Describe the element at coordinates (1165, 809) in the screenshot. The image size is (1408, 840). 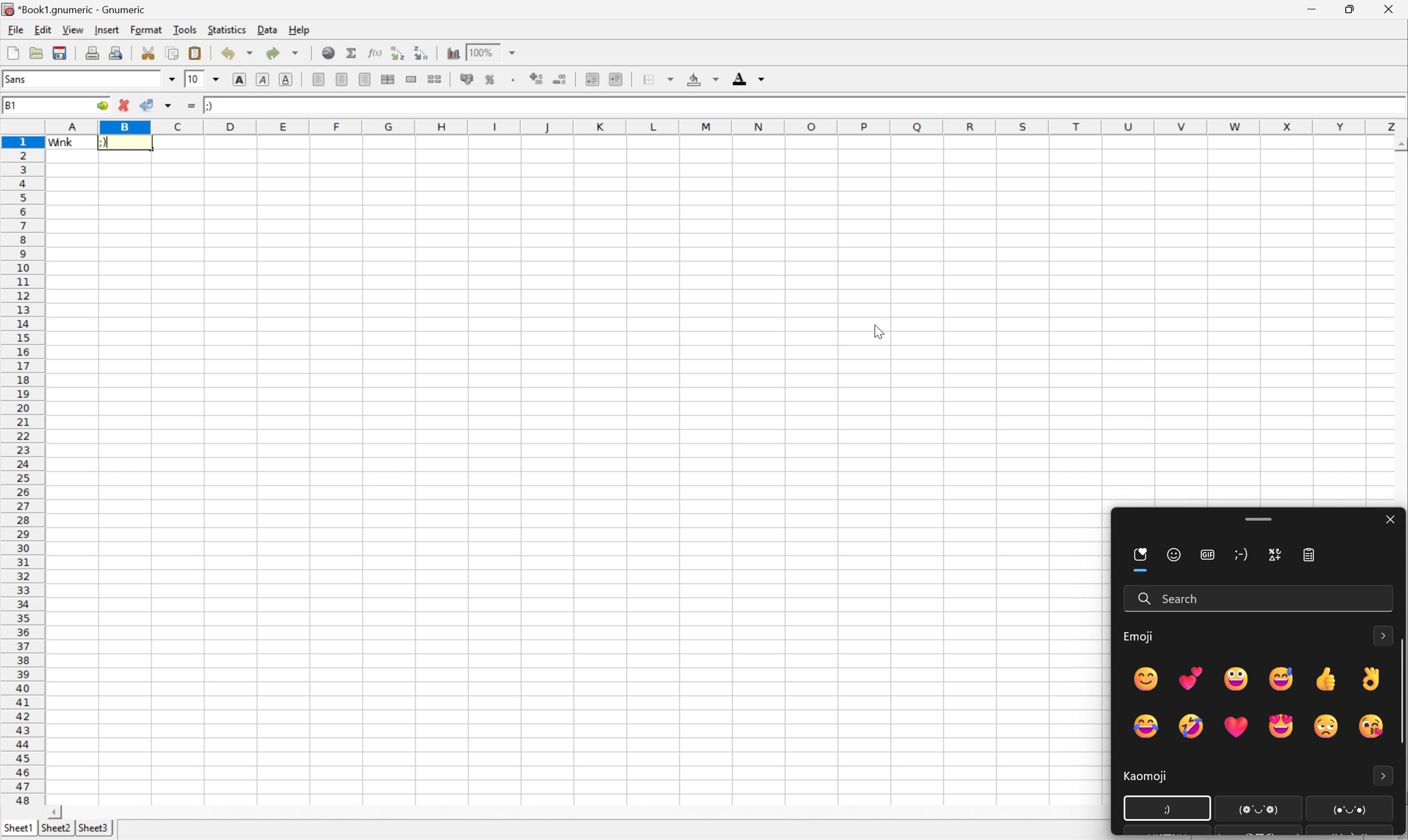
I see `cursor` at that location.